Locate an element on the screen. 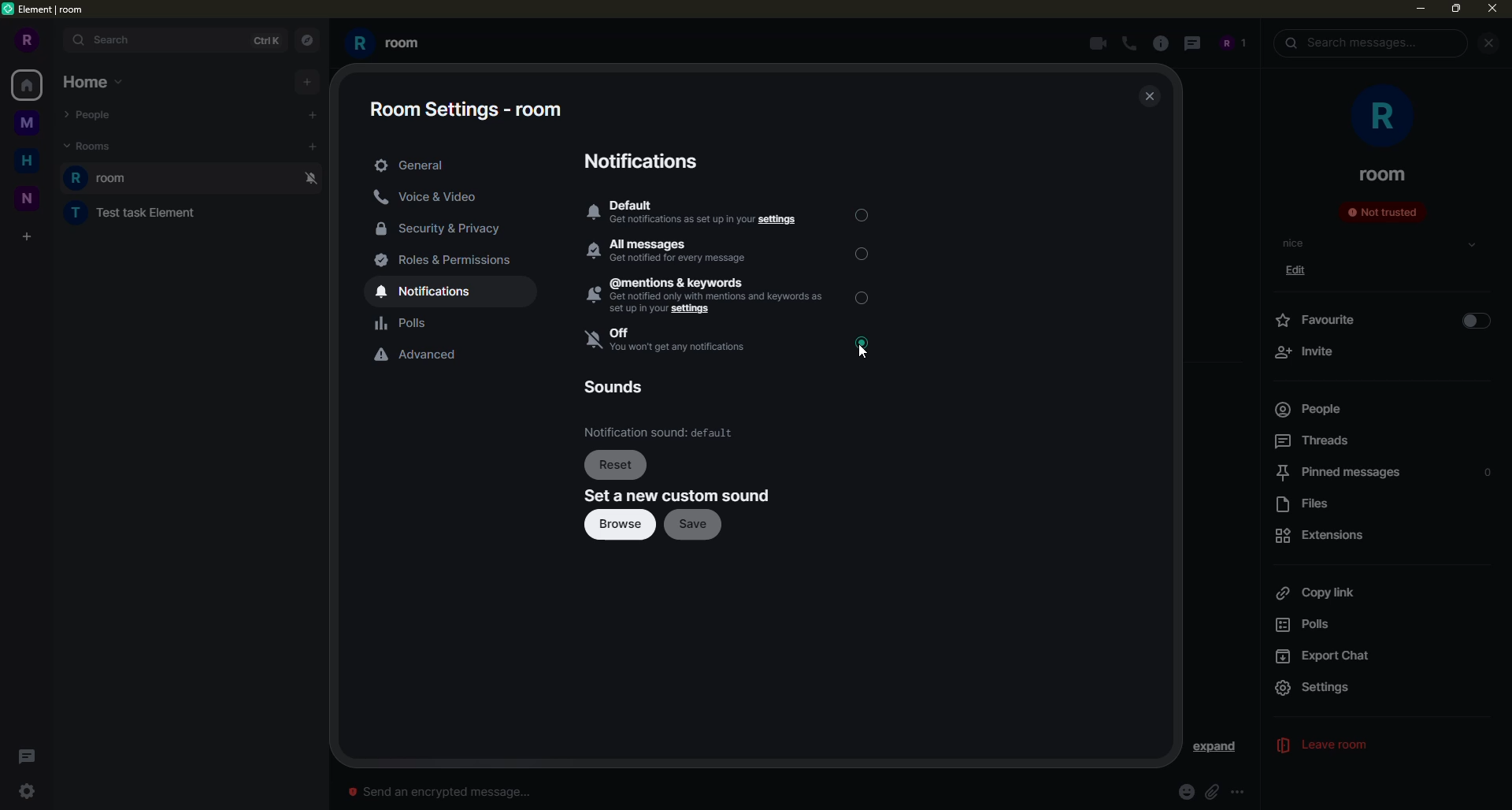  polls is located at coordinates (404, 324).